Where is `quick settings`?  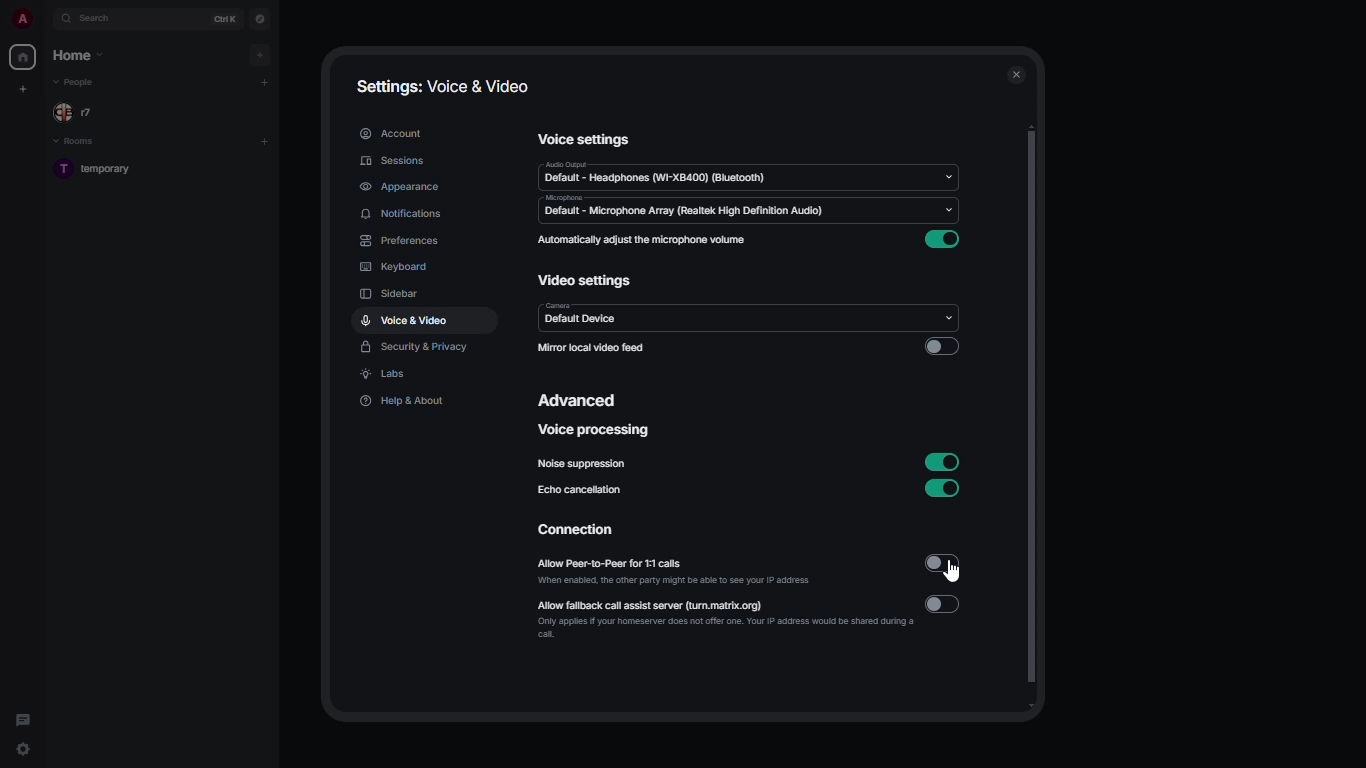 quick settings is located at coordinates (24, 752).